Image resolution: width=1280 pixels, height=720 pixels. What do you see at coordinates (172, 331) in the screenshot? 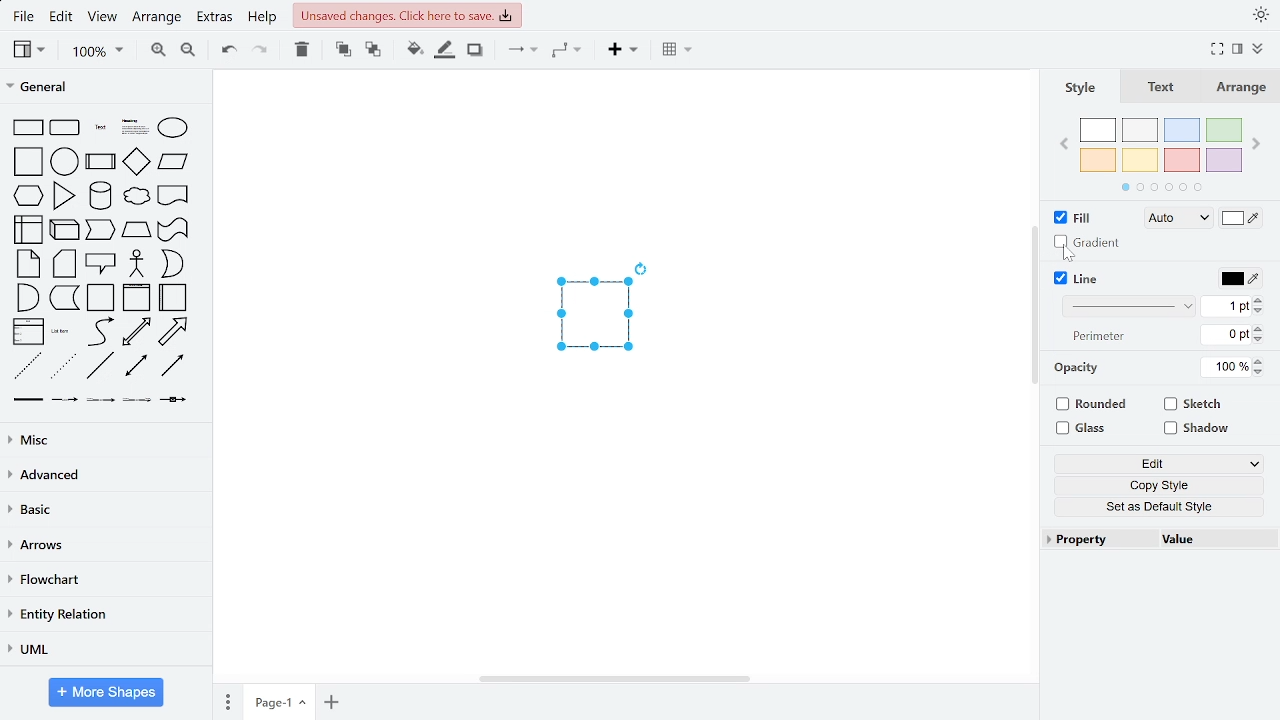
I see `general shapes` at bounding box center [172, 331].